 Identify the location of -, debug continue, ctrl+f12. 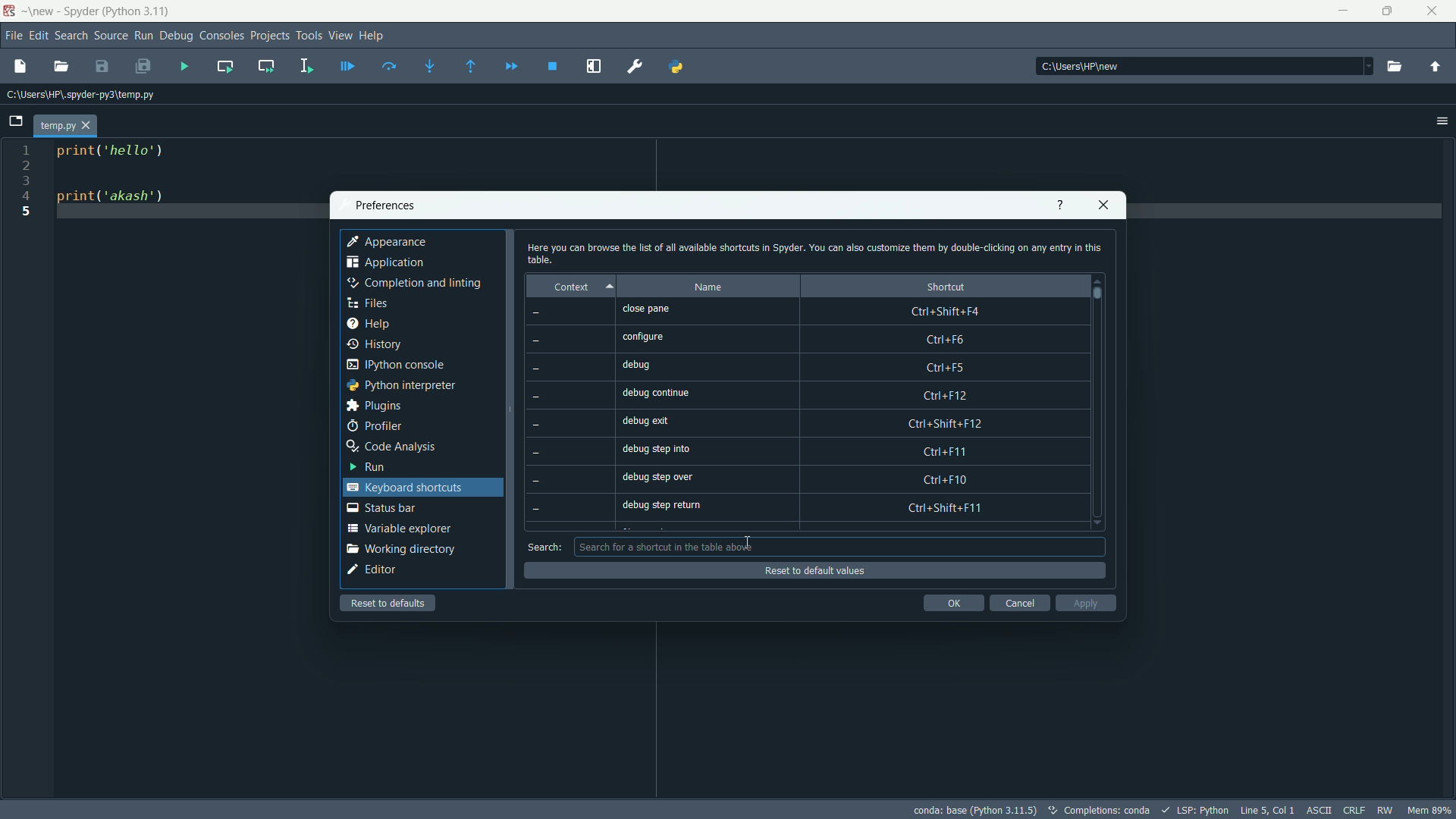
(802, 395).